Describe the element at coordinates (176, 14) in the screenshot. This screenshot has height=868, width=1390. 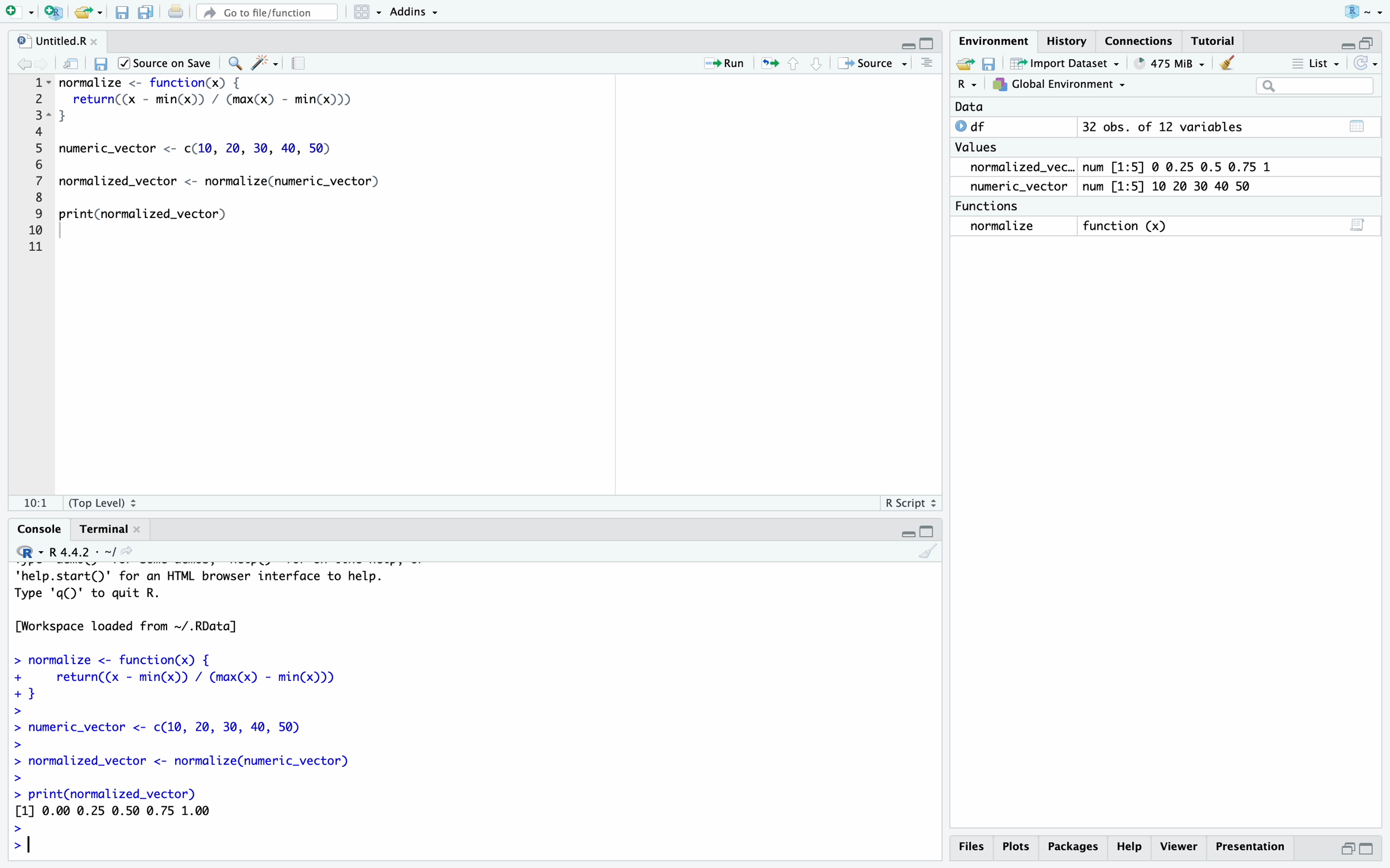
I see `Print the current file` at that location.